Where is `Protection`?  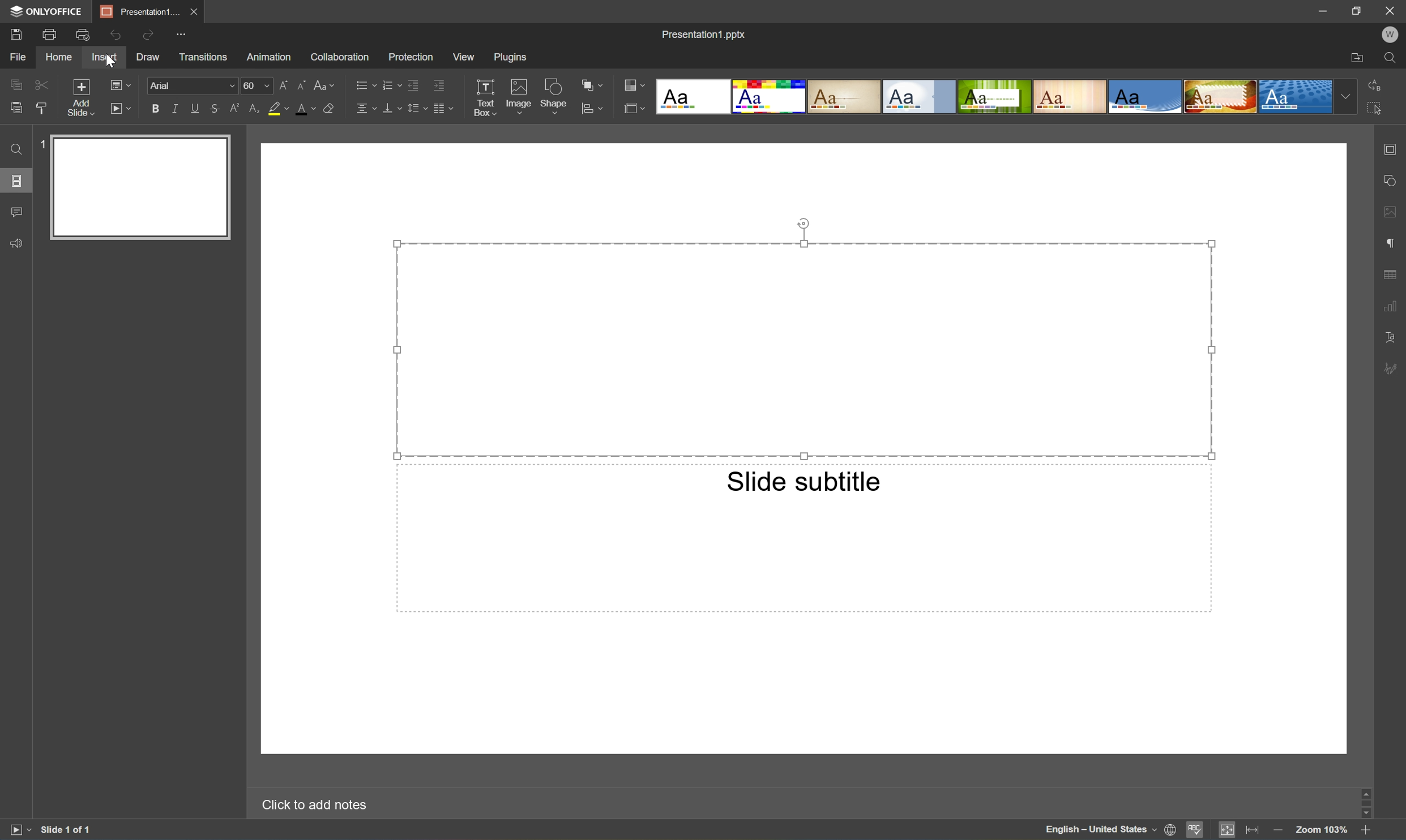
Protection is located at coordinates (409, 56).